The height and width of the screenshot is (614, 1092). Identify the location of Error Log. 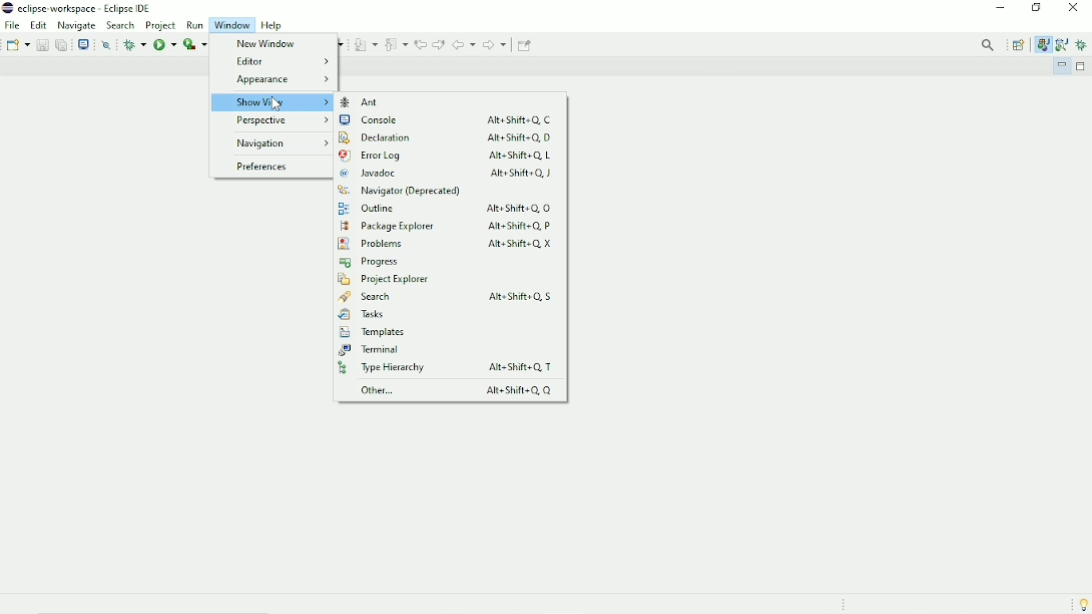
(445, 156).